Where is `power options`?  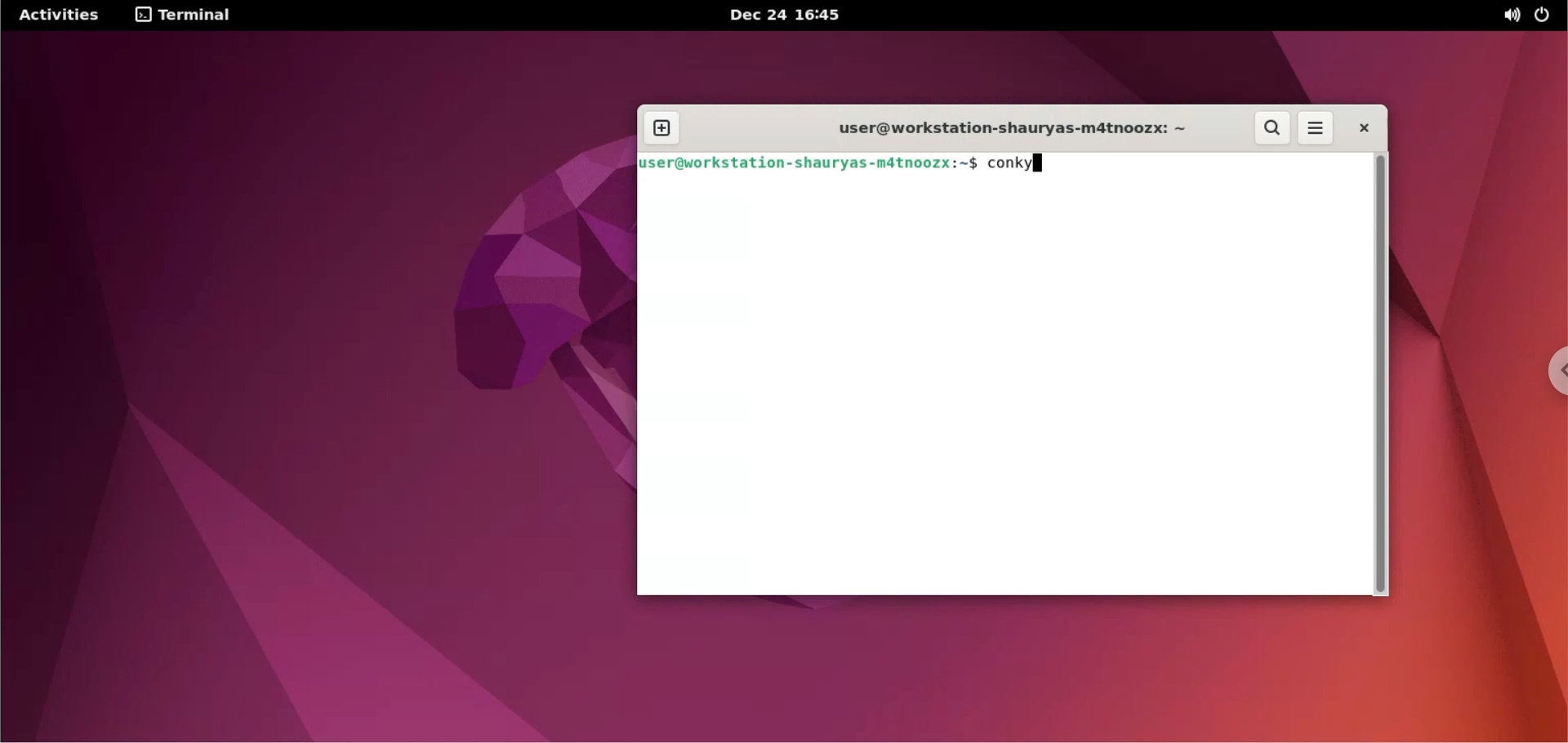 power options is located at coordinates (1549, 16).